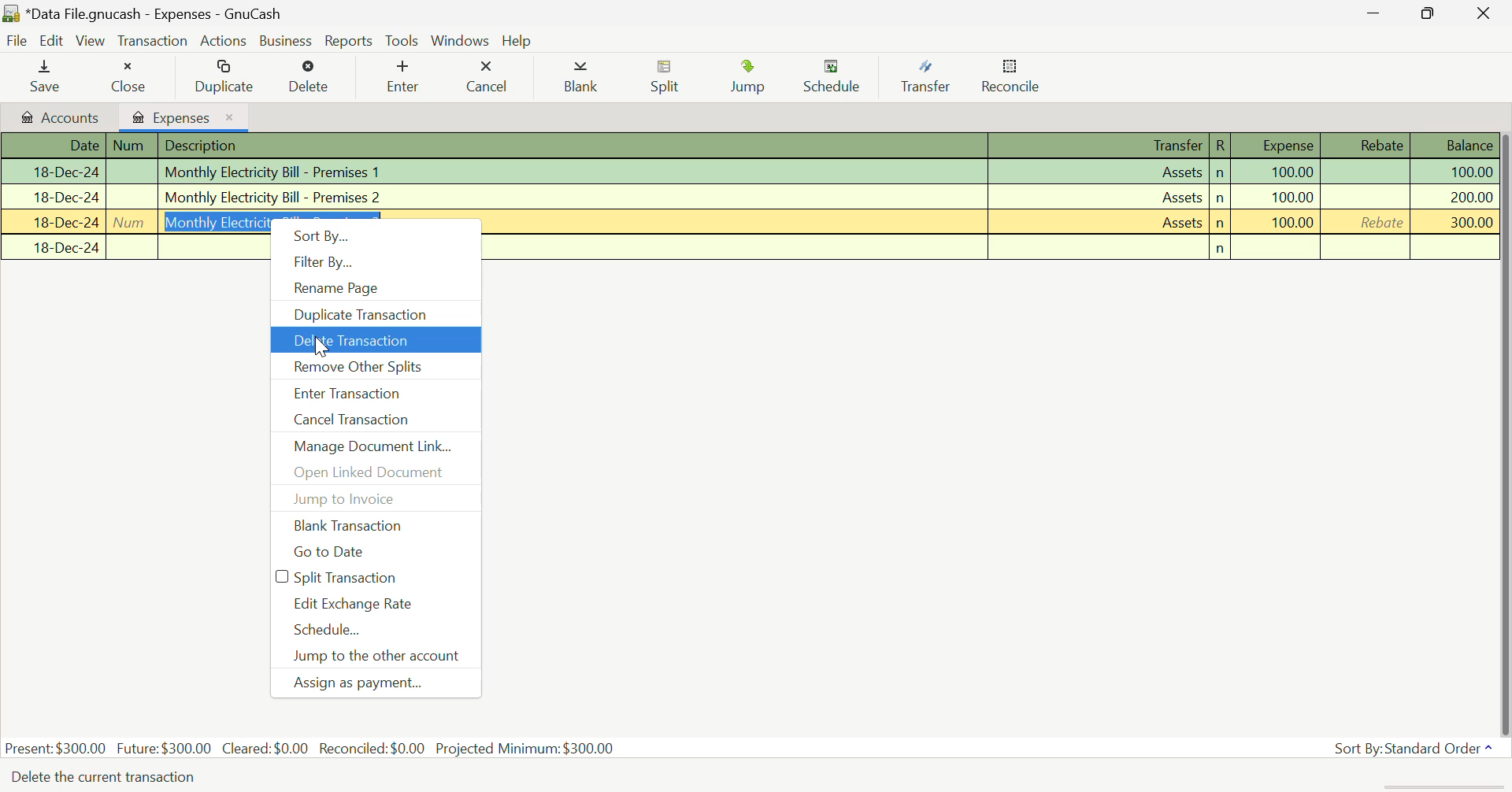  What do you see at coordinates (312, 749) in the screenshot?
I see `Present: $300.00 Future: $300.00 Cleared:$0.00 Reconciled: $0.00 Projected Minimum: $300.00` at bounding box center [312, 749].